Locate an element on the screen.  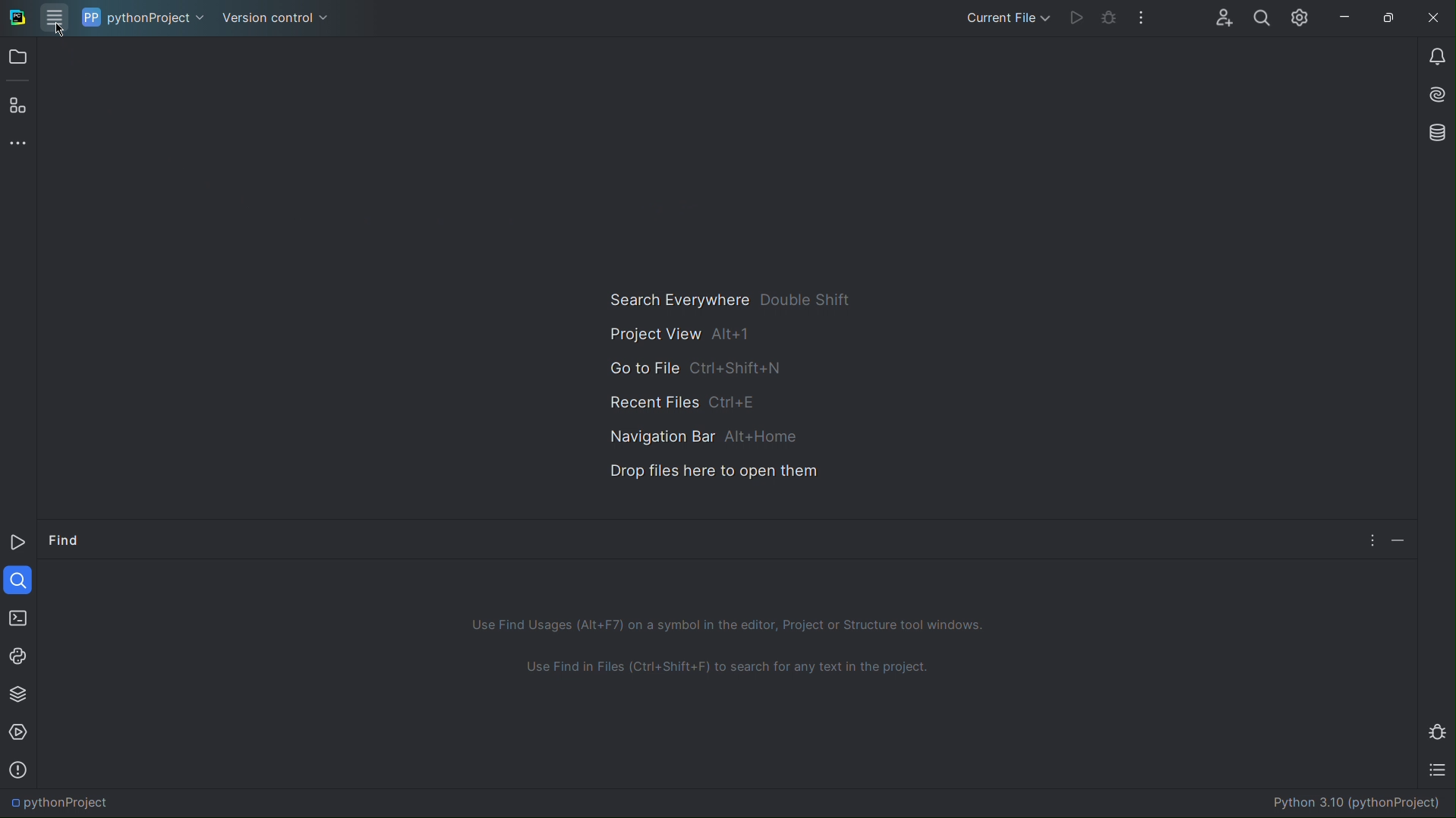
pythonProject is located at coordinates (145, 17).